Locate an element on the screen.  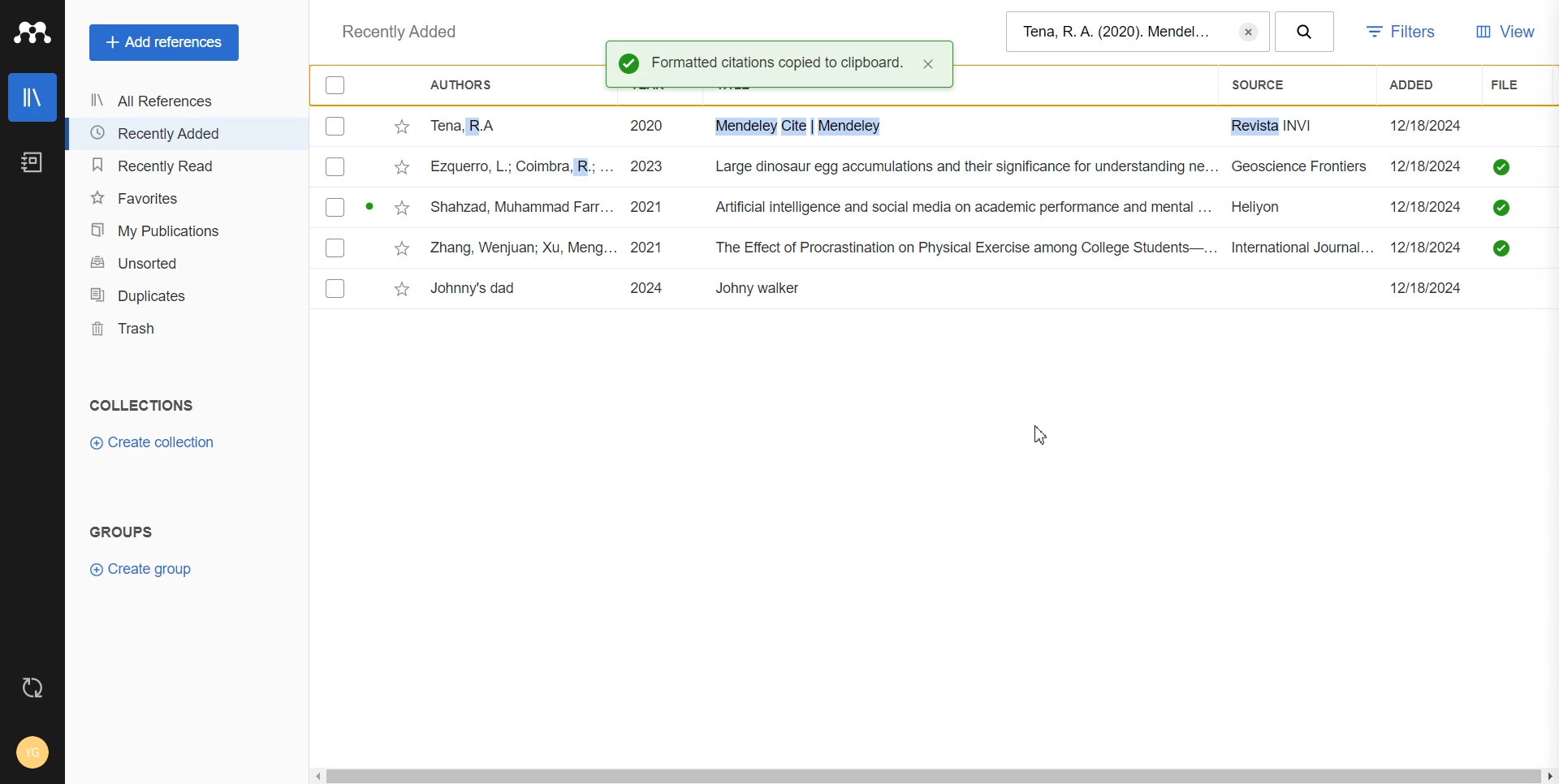
Cursor is located at coordinates (1043, 435).